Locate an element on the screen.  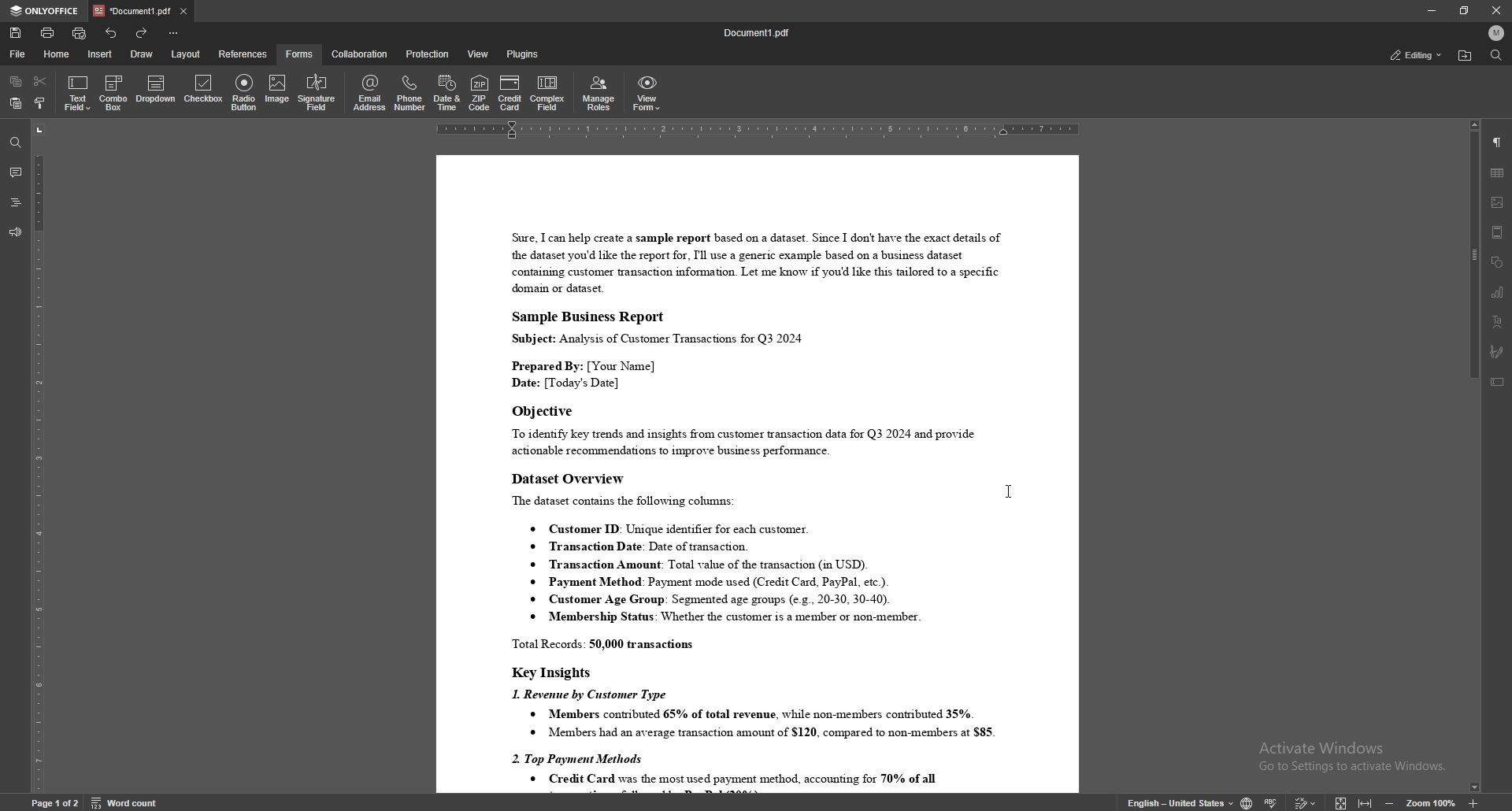
zoom in is located at coordinates (1472, 803).